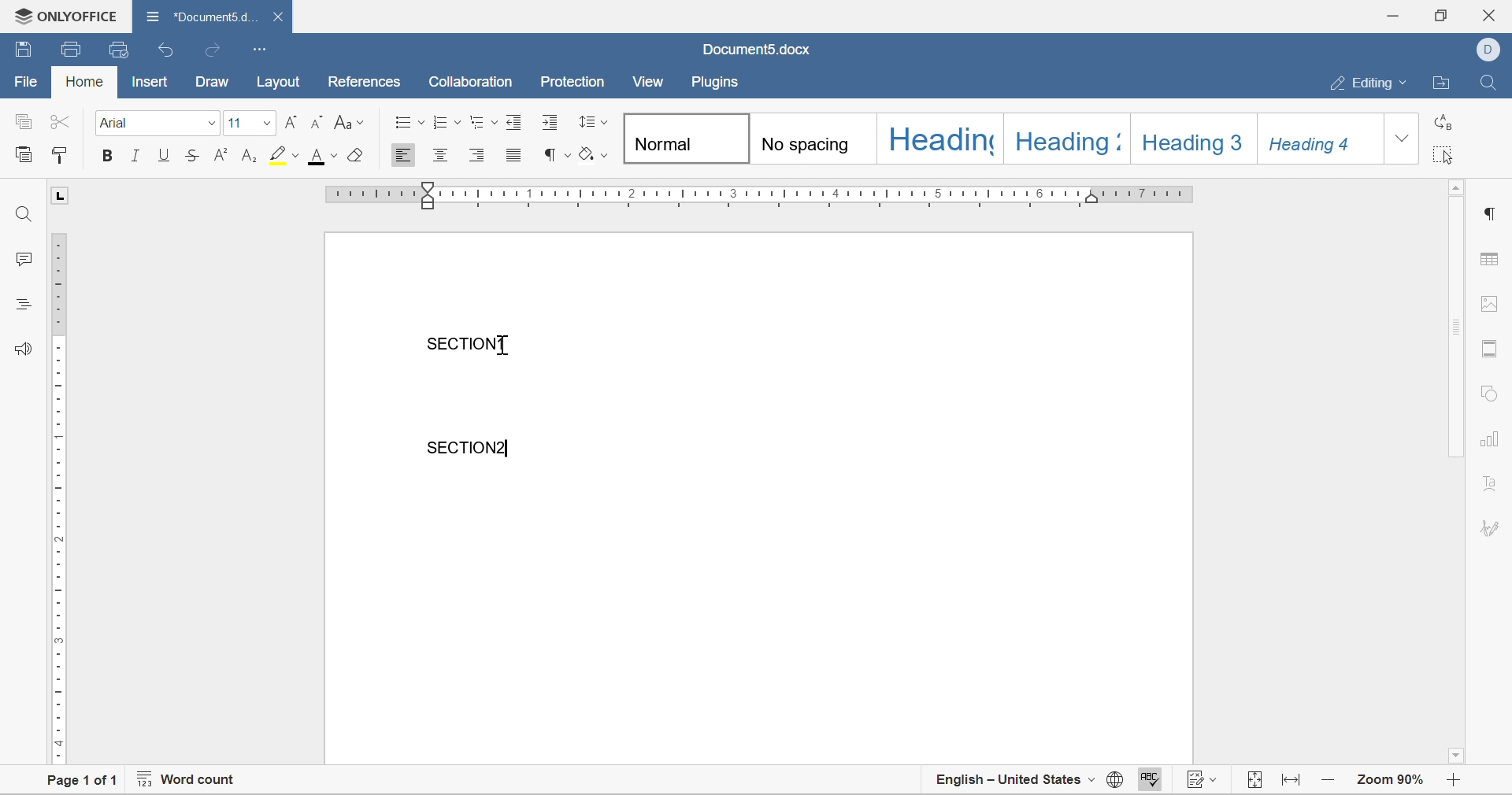 The width and height of the screenshot is (1512, 795). Describe the element at coordinates (1492, 261) in the screenshot. I see `table settings` at that location.